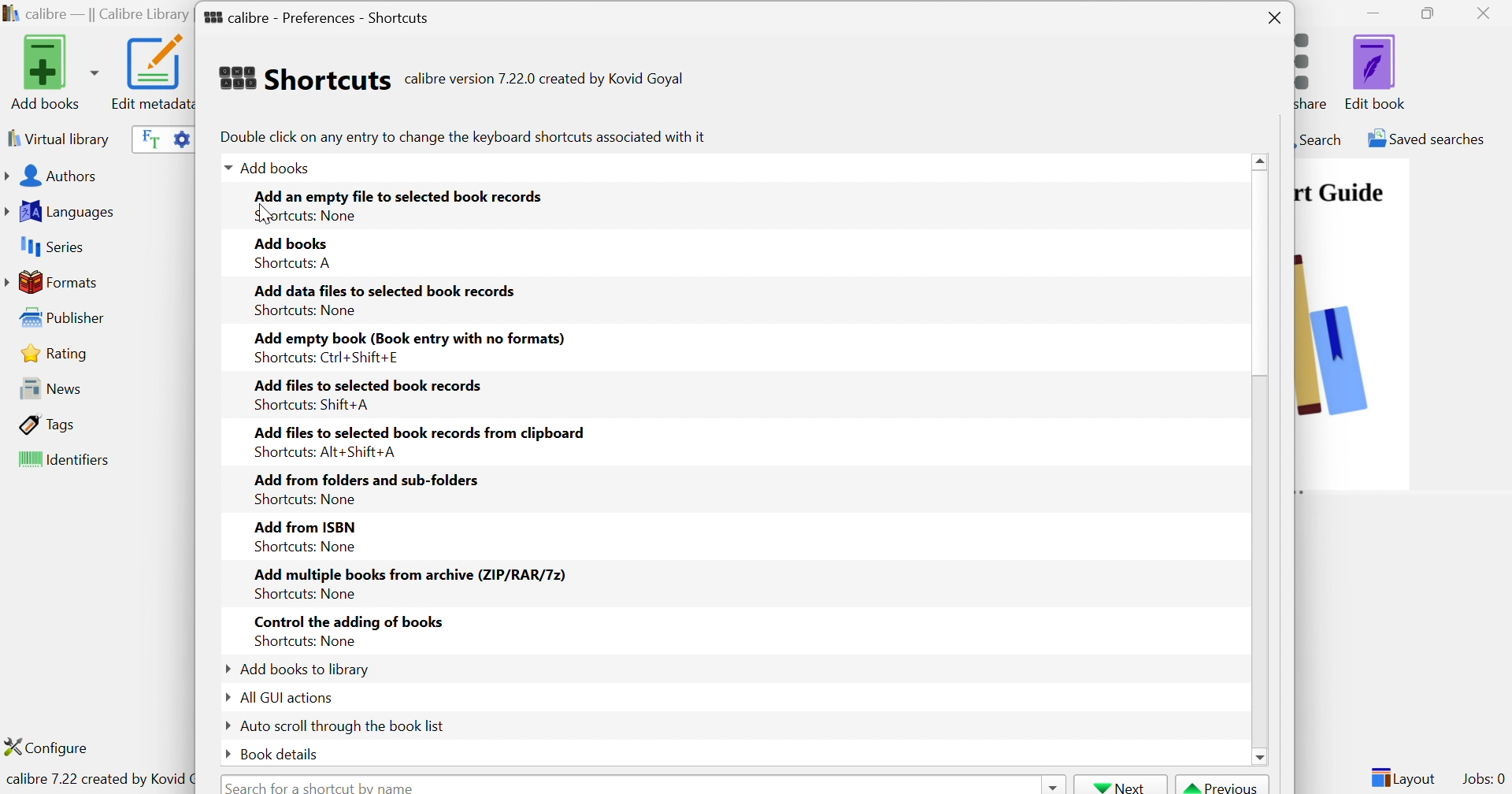  Describe the element at coordinates (1223, 785) in the screenshot. I see `Previous` at that location.